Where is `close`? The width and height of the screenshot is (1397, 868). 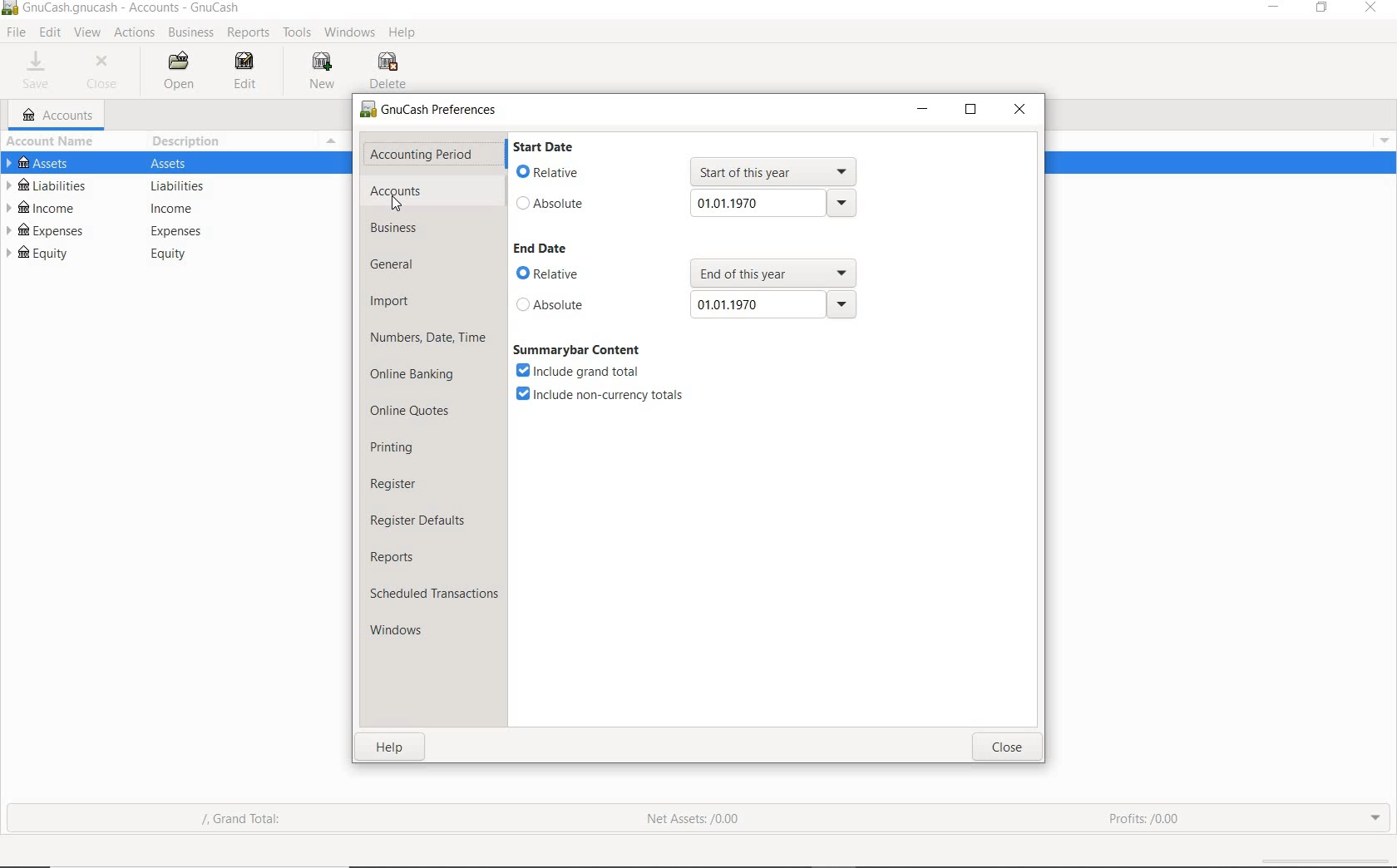 close is located at coordinates (1007, 747).